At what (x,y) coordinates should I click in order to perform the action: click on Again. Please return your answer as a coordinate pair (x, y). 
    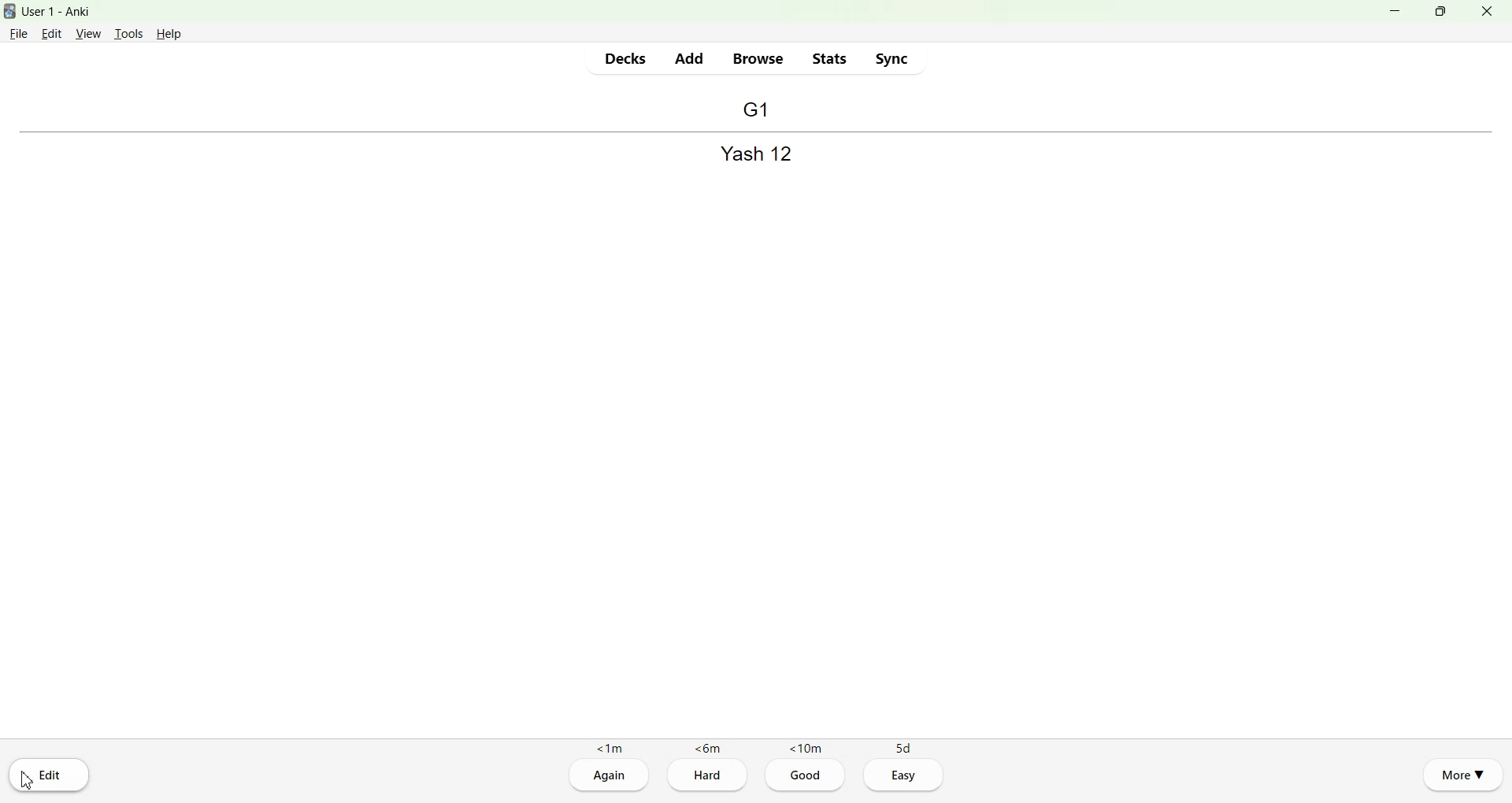
    Looking at the image, I should click on (609, 776).